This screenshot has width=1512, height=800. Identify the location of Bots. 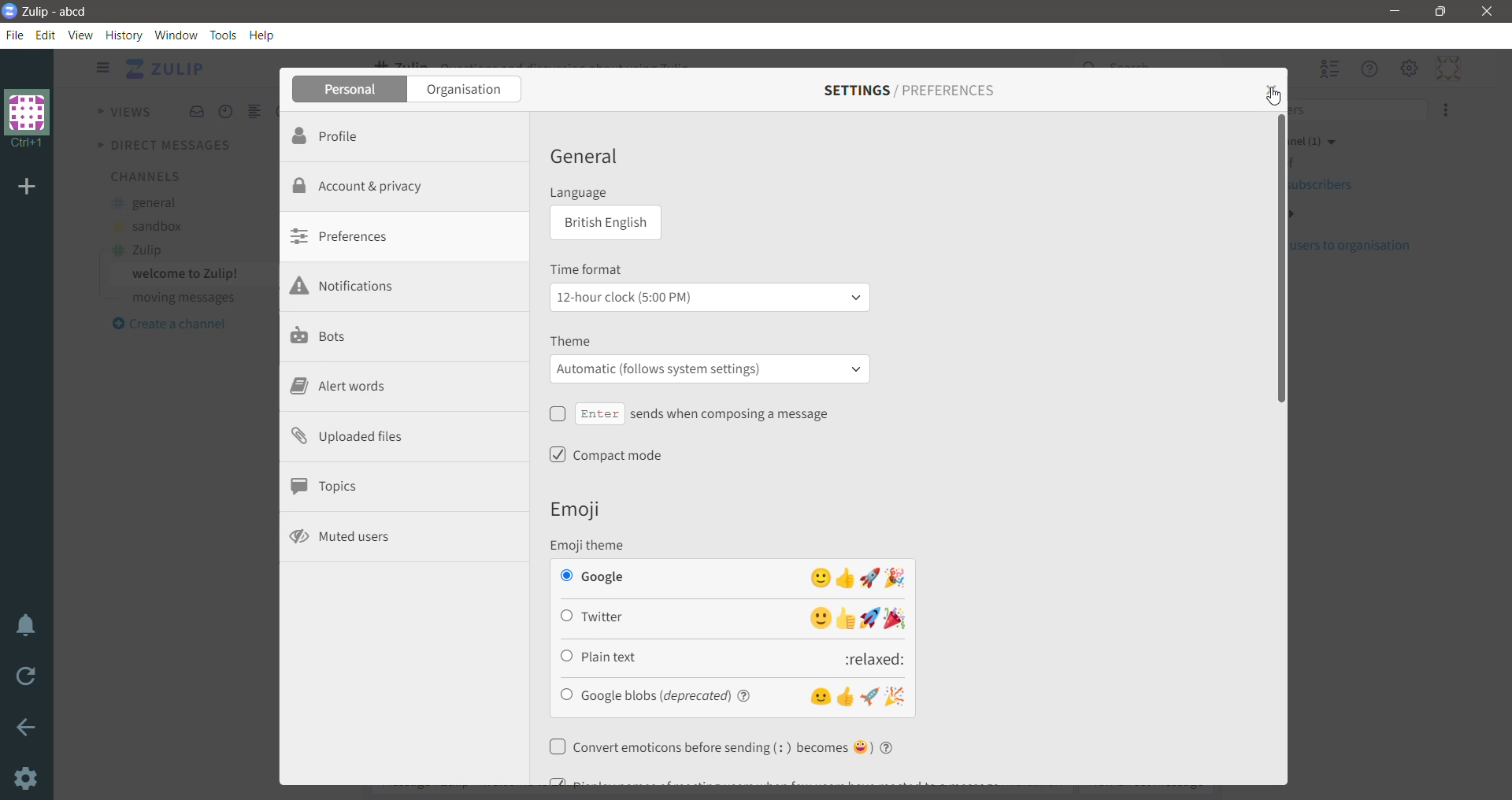
(329, 332).